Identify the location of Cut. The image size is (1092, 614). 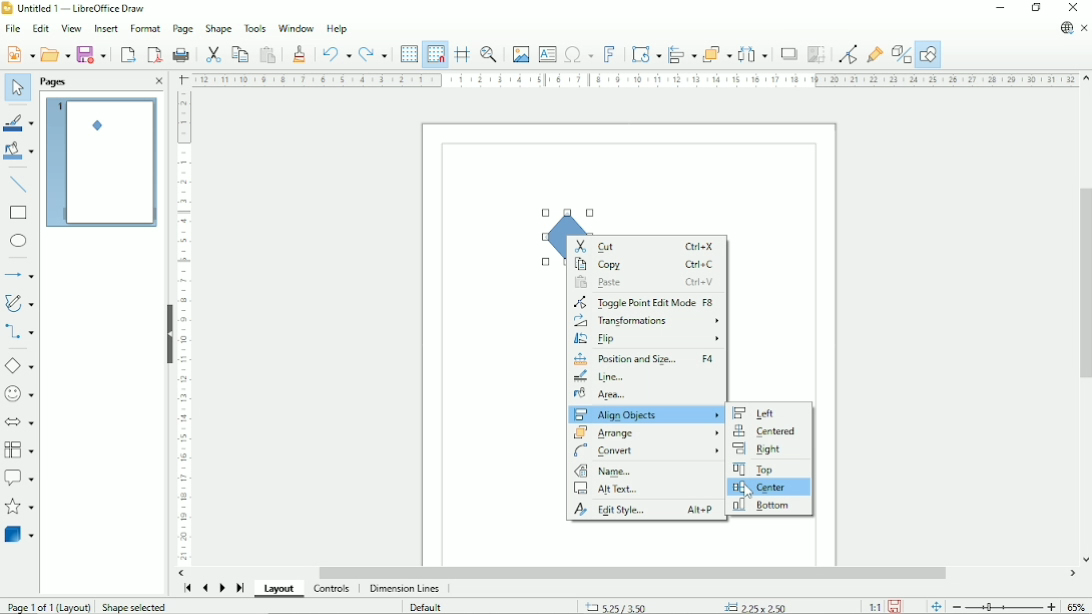
(213, 53).